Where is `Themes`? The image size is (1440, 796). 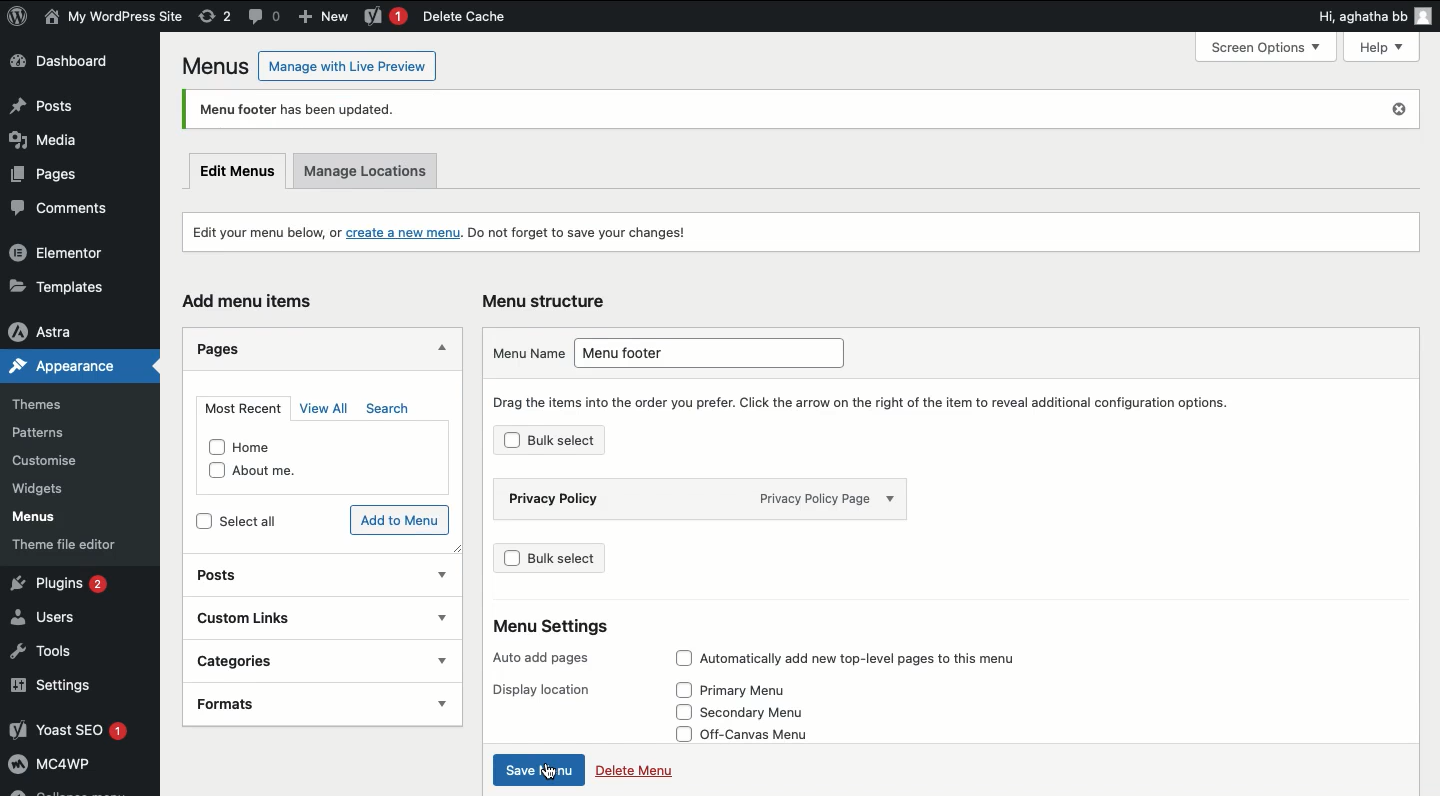
Themes is located at coordinates (50, 401).